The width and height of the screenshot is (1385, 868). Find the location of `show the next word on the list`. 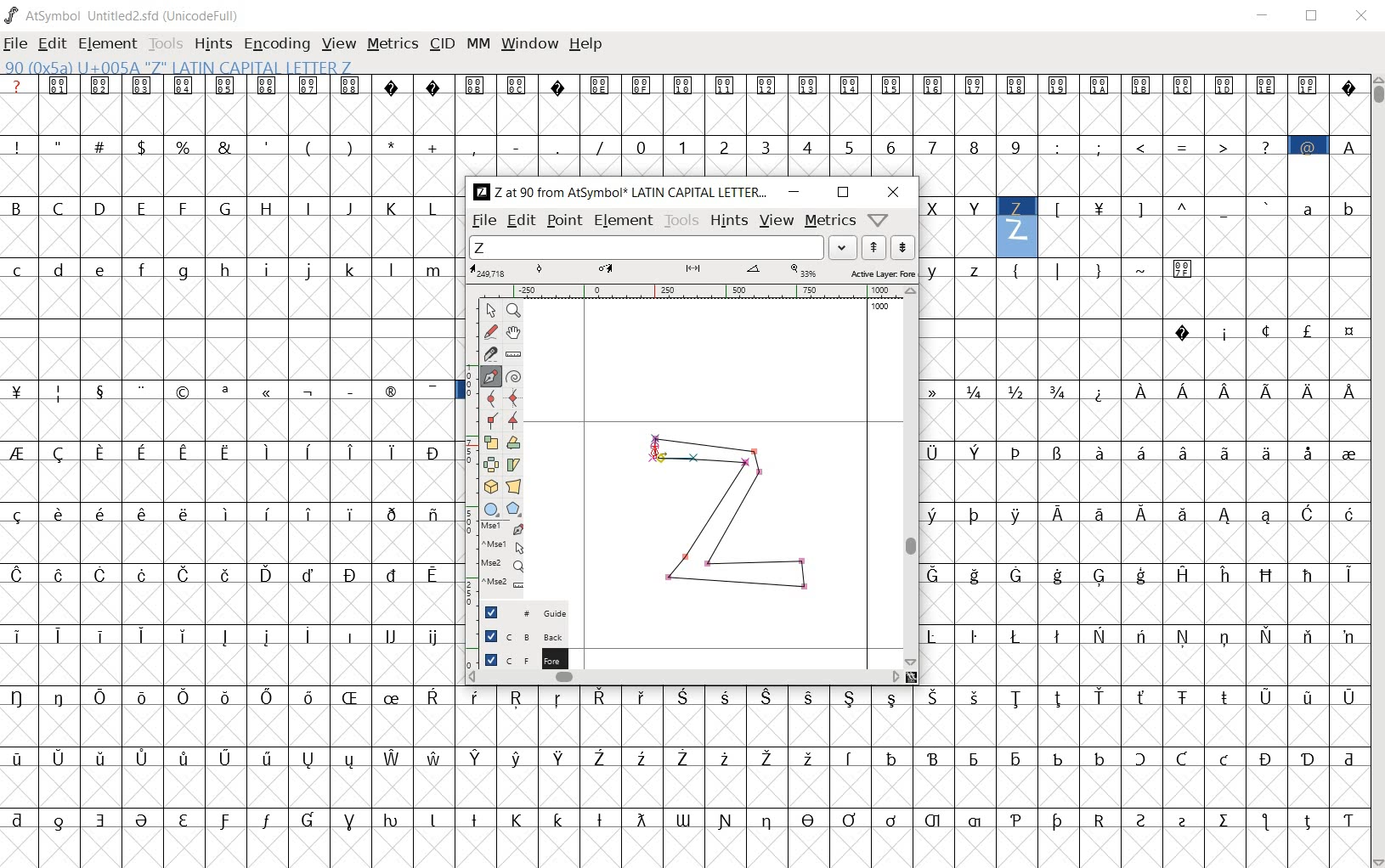

show the next word on the list is located at coordinates (873, 248).